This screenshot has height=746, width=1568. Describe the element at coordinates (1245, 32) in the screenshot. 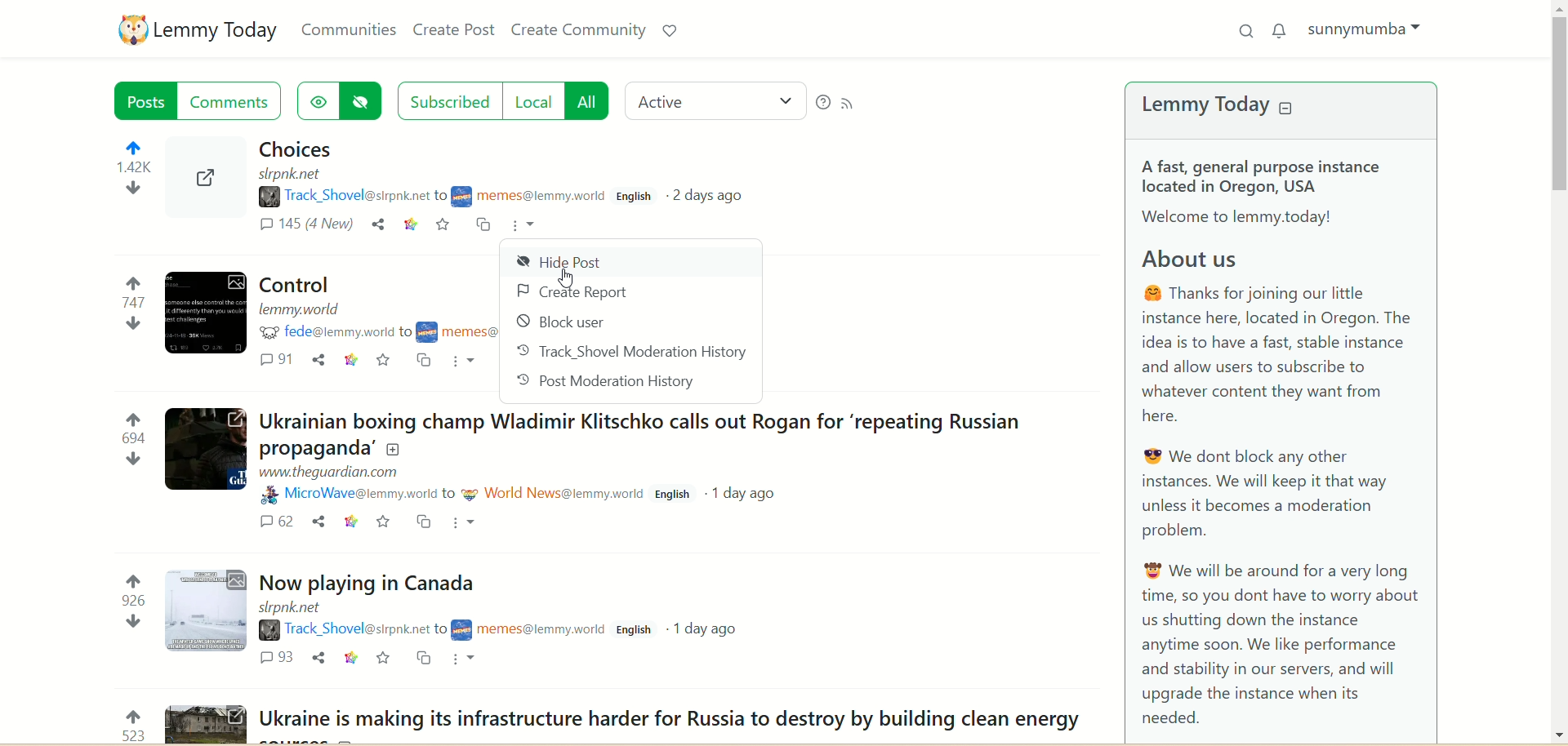

I see `search` at that location.